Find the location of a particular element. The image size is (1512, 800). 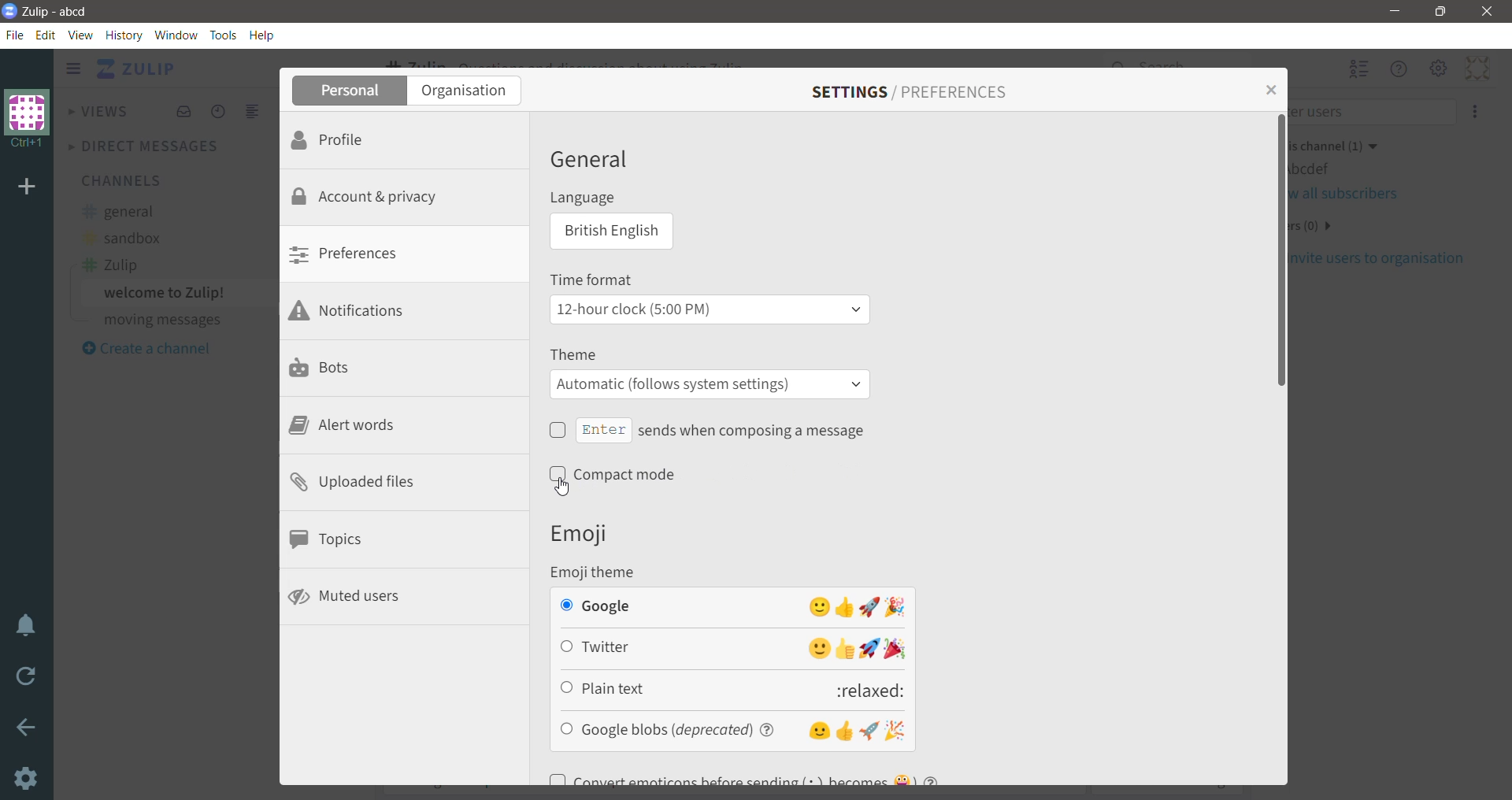

welcome to Zulip is located at coordinates (167, 293).